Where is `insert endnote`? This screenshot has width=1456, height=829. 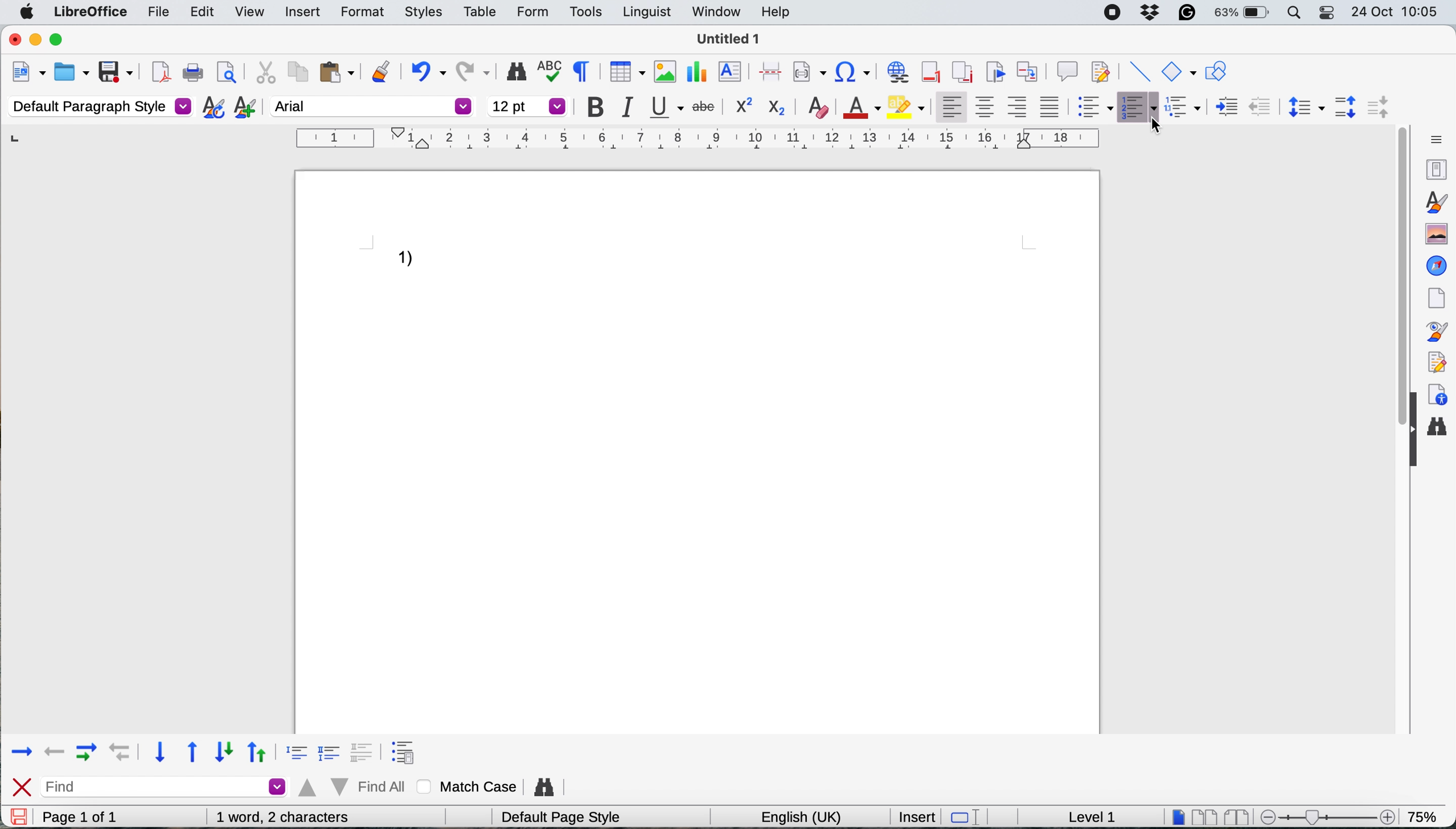 insert endnote is located at coordinates (961, 71).